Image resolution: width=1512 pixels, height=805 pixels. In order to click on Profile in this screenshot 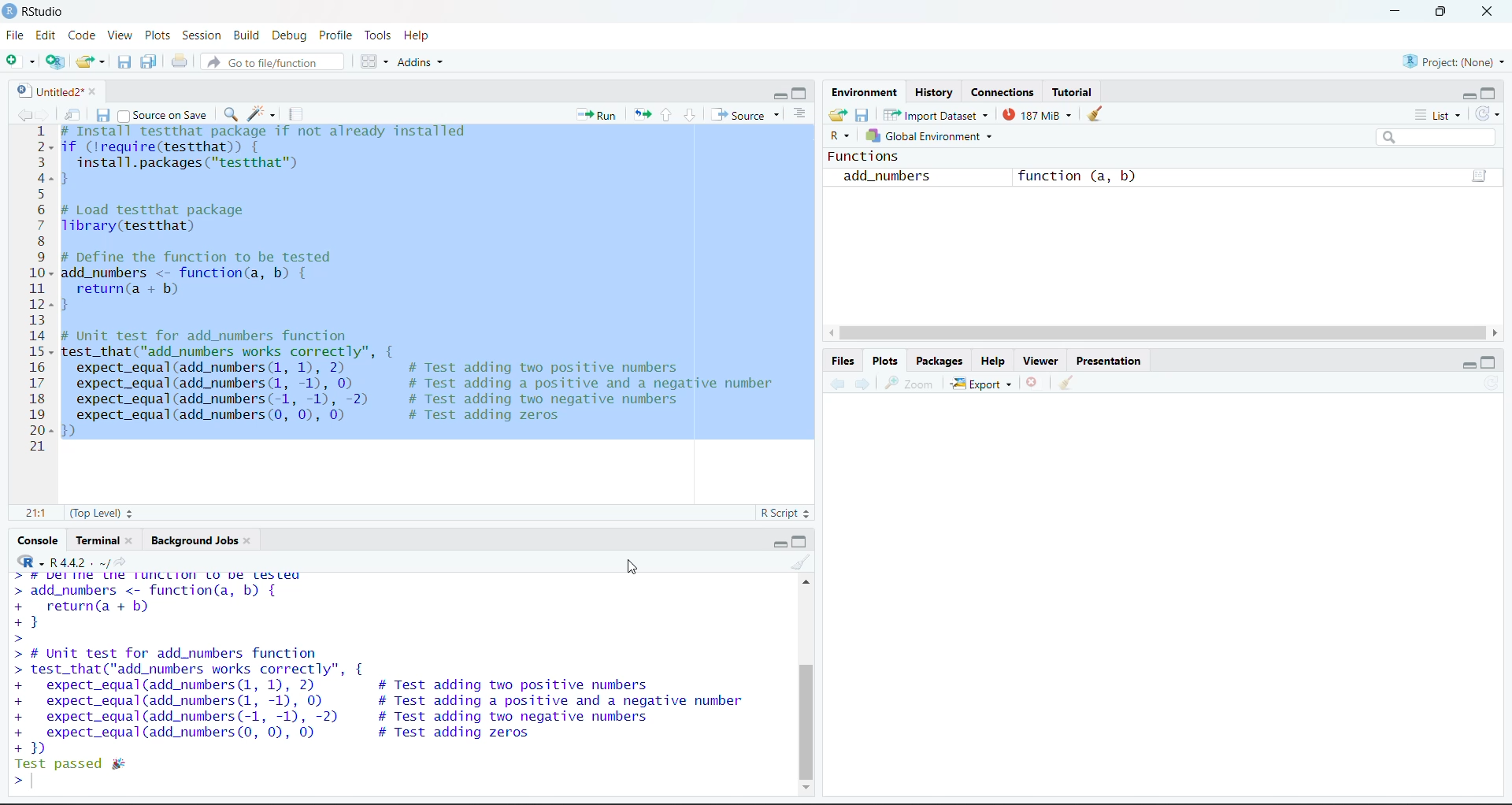, I will do `click(339, 33)`.